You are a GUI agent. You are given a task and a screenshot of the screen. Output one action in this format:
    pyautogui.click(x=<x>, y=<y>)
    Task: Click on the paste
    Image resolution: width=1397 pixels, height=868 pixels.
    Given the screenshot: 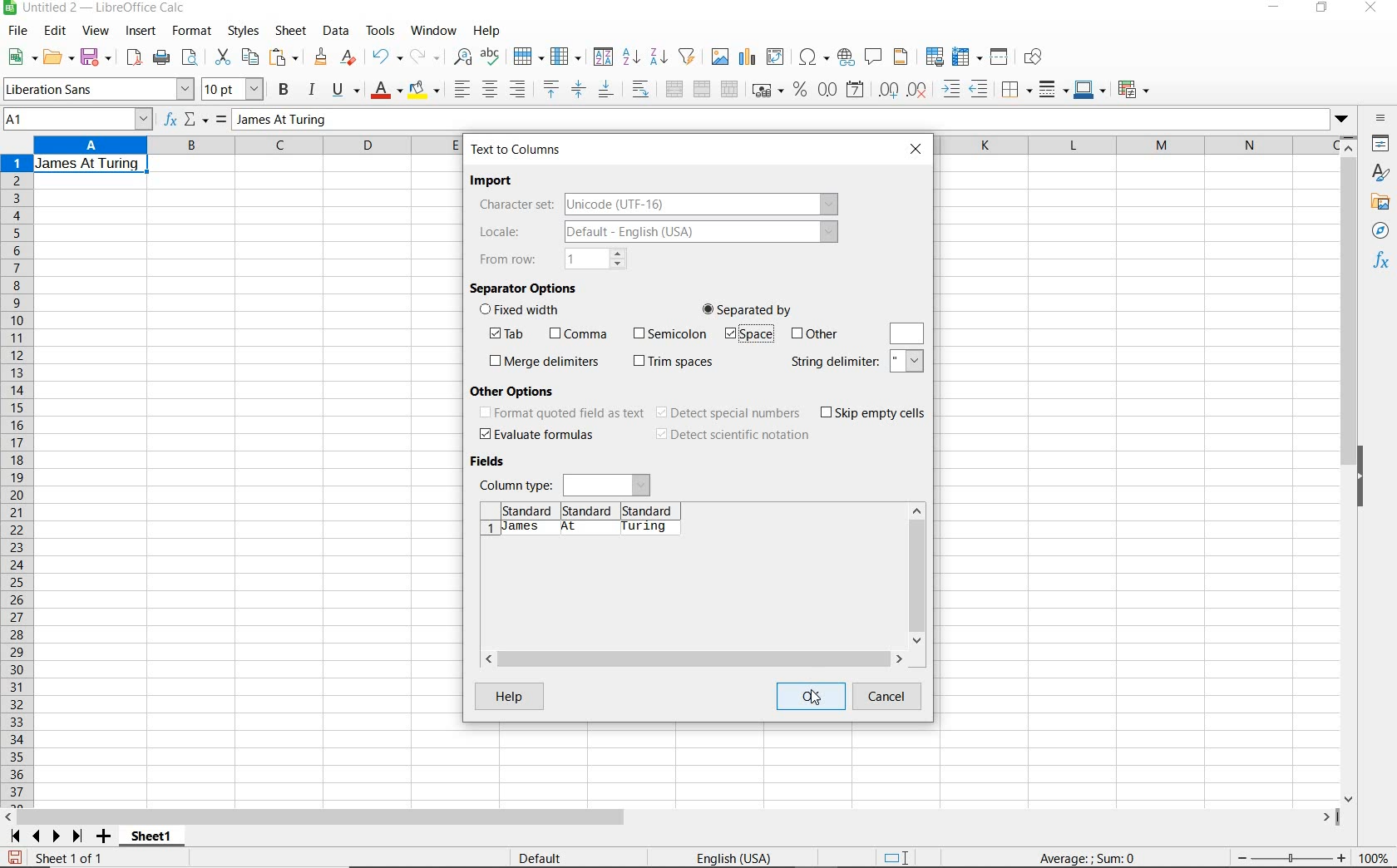 What is the action you would take?
    pyautogui.click(x=284, y=57)
    